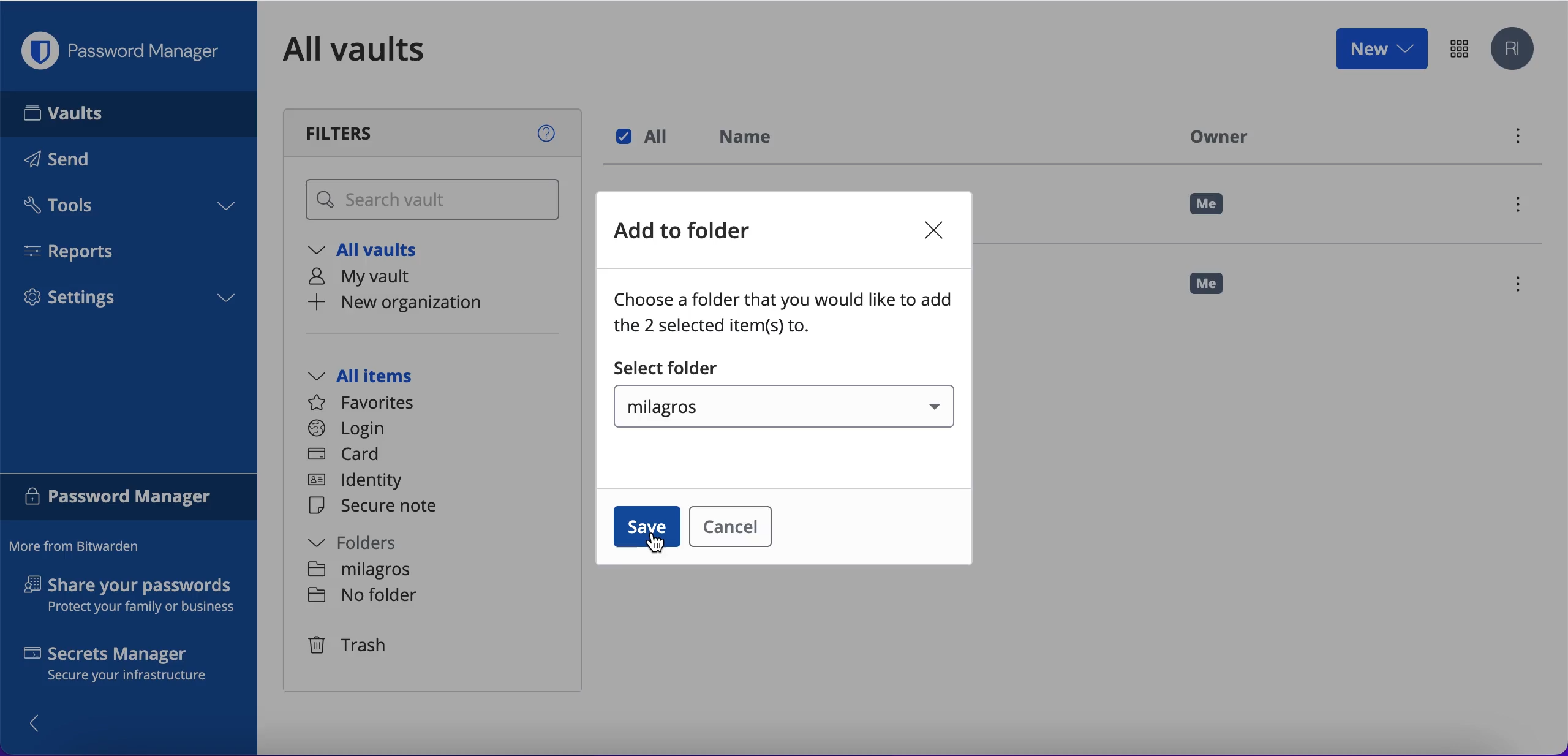 This screenshot has height=756, width=1568. I want to click on password manager, so click(129, 499).